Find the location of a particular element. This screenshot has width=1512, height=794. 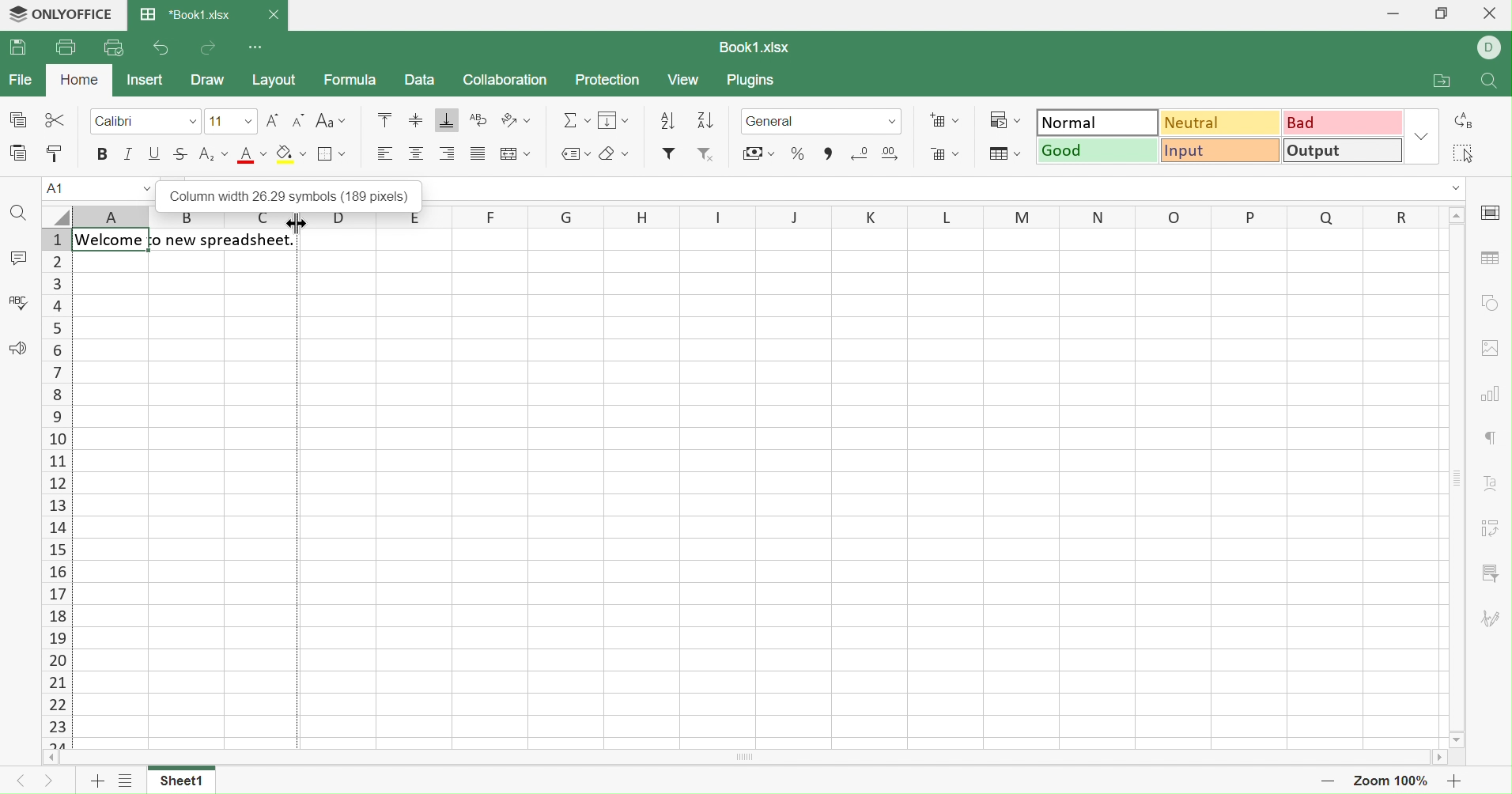

Decrease decimal is located at coordinates (860, 152).